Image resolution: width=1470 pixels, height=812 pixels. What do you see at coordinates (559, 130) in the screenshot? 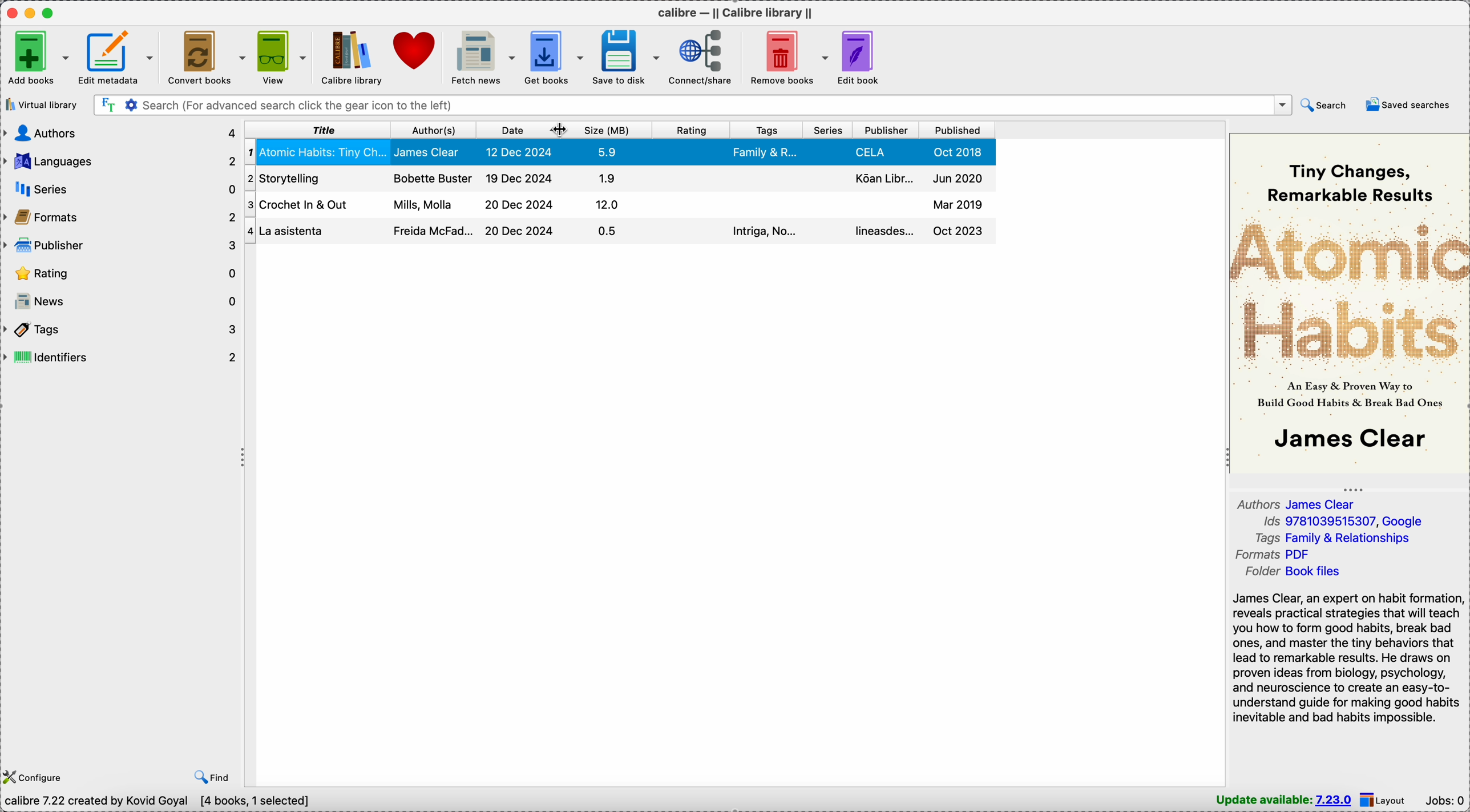
I see `cursor` at bounding box center [559, 130].